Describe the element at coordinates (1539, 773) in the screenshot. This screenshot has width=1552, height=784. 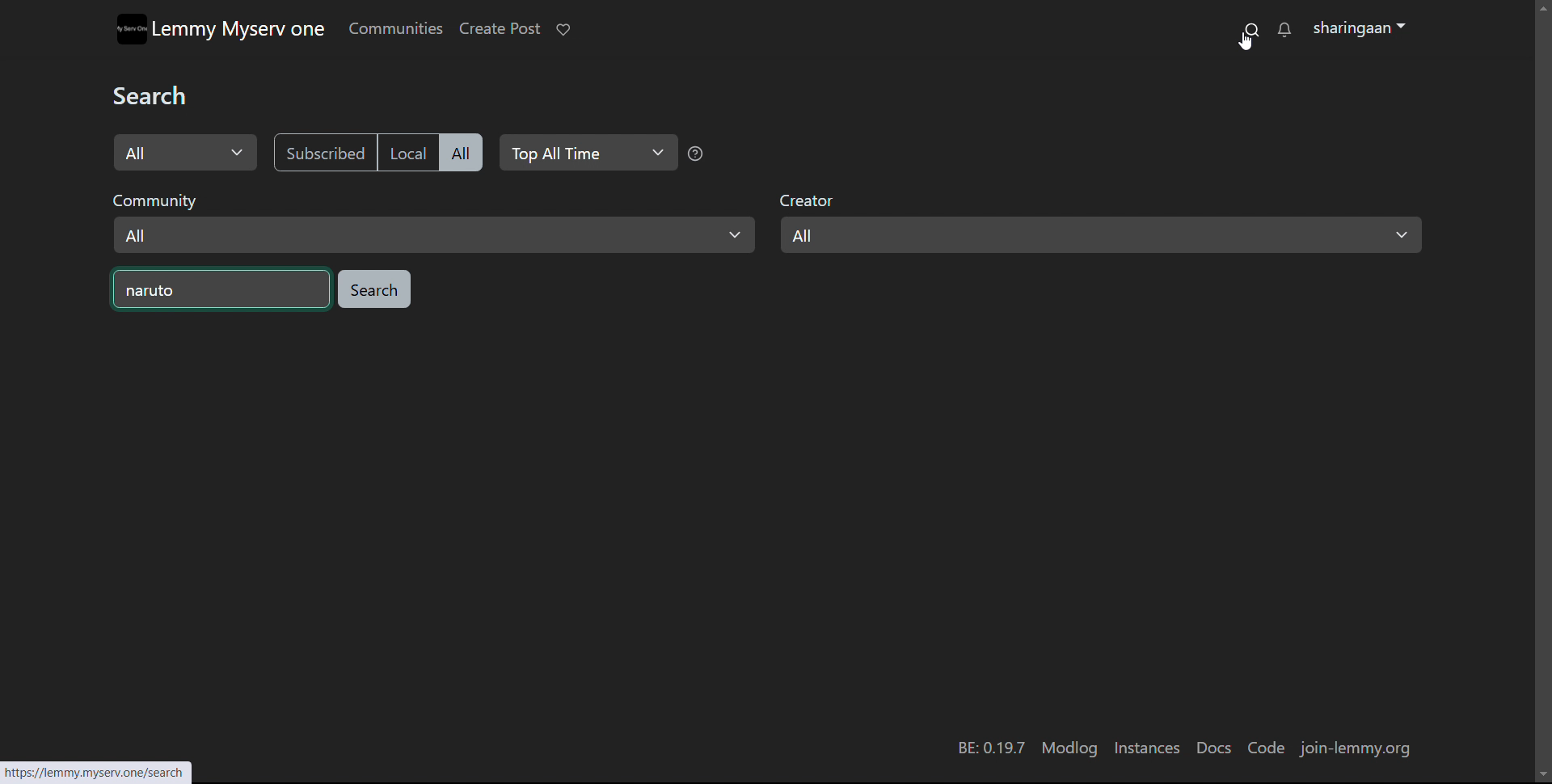
I see `Scroll Down` at that location.